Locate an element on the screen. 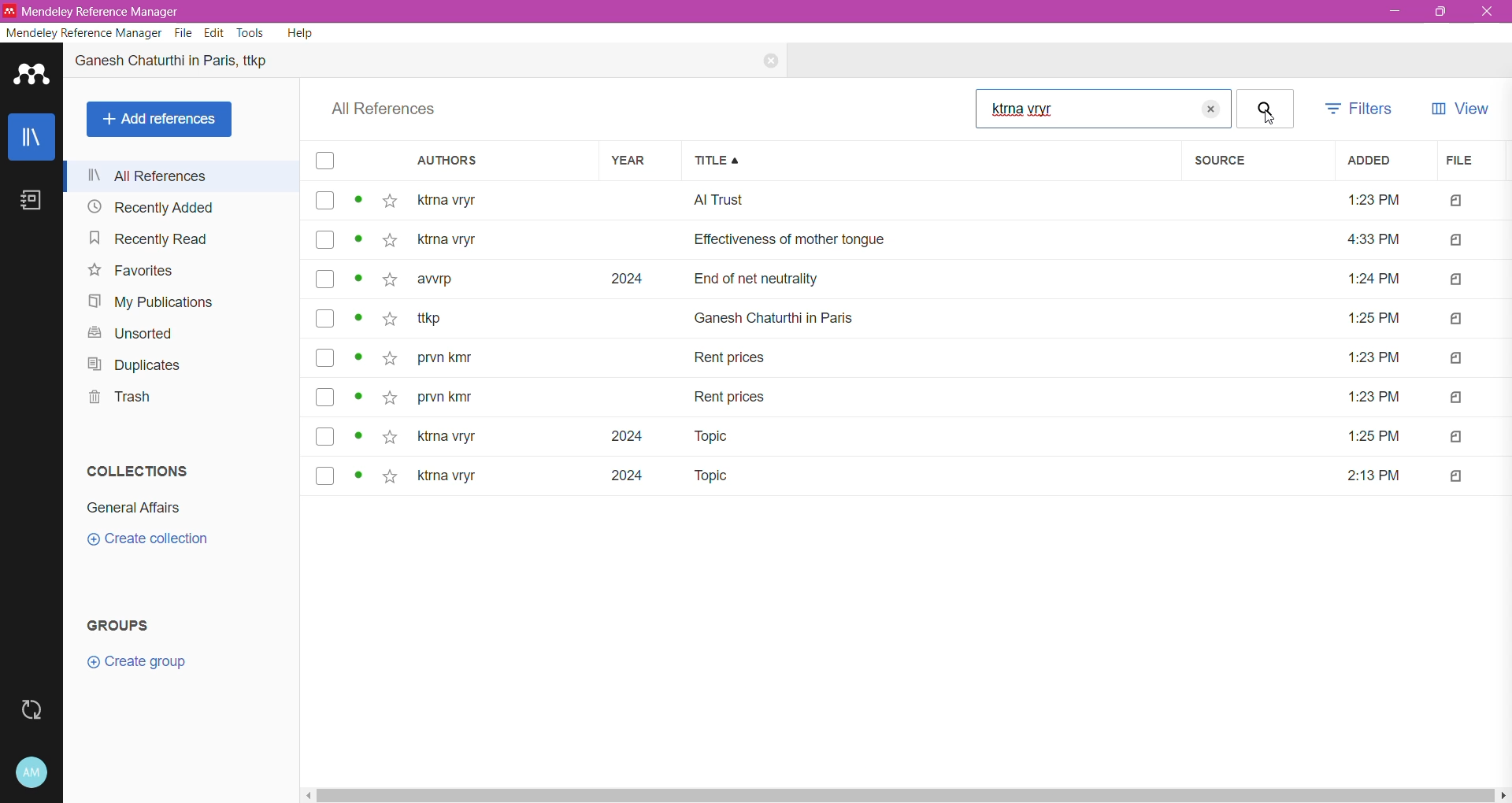  Collections is located at coordinates (139, 470).